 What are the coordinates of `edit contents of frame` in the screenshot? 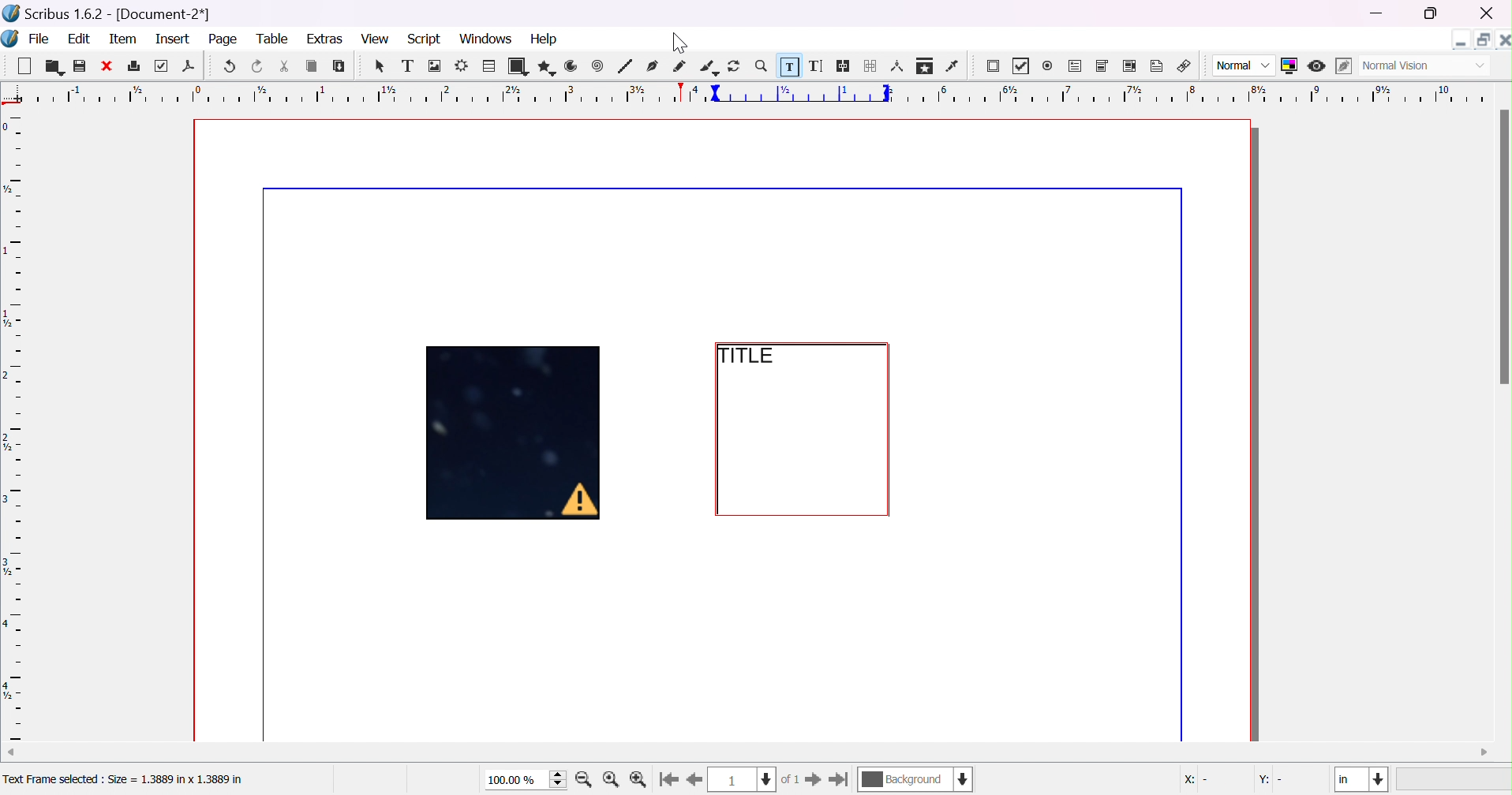 It's located at (788, 64).